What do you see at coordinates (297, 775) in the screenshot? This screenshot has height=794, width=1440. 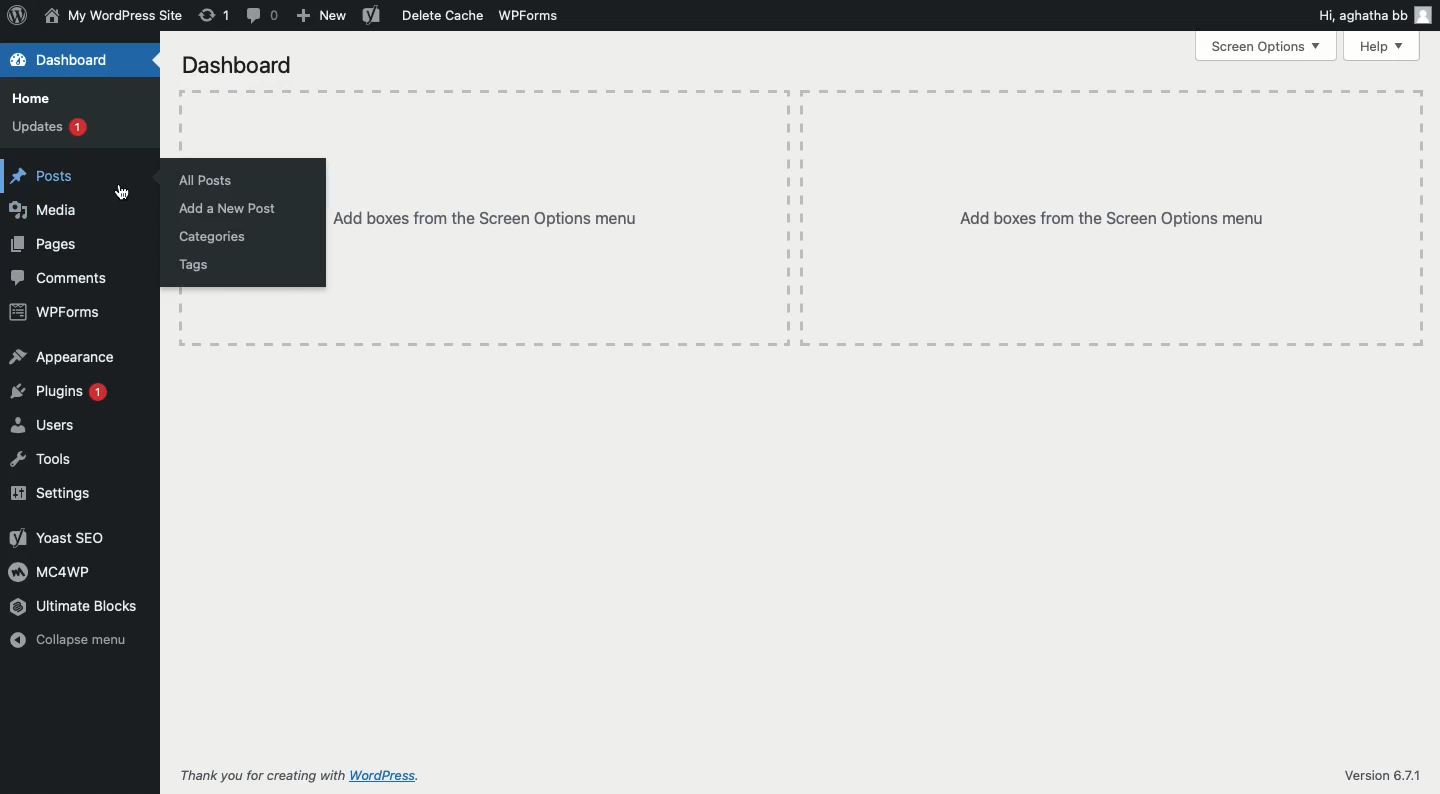 I see `Thank you for creating with WordPress` at bounding box center [297, 775].